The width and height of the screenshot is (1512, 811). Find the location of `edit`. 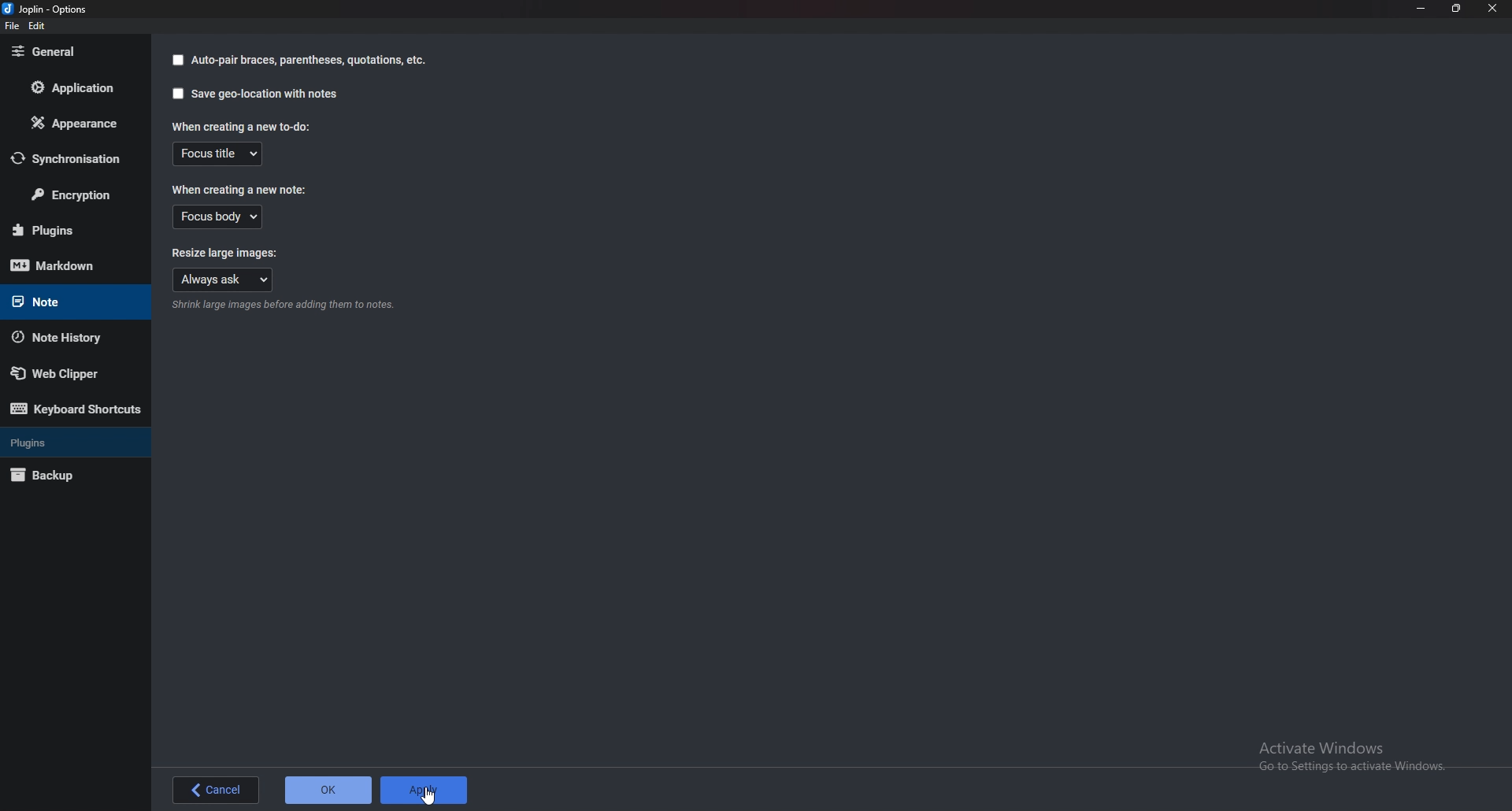

edit is located at coordinates (36, 26).